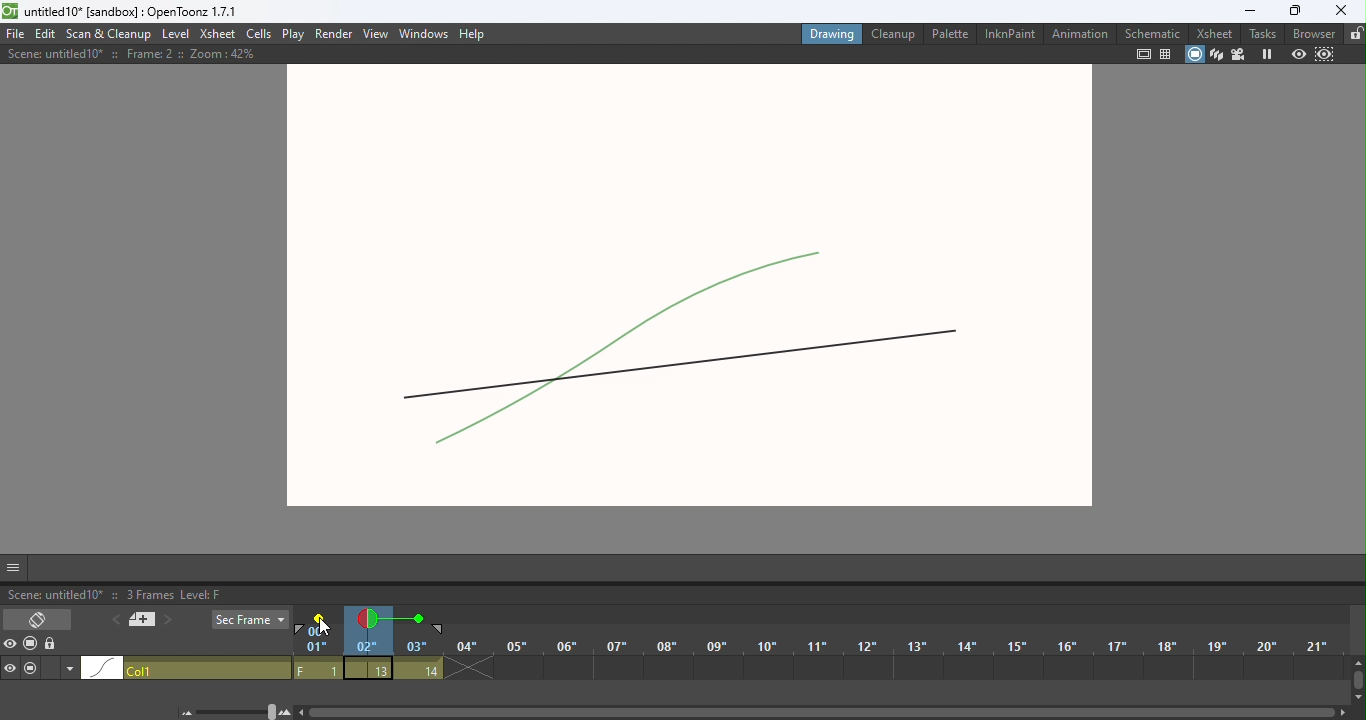  Describe the element at coordinates (1213, 32) in the screenshot. I see `Xsheet` at that location.